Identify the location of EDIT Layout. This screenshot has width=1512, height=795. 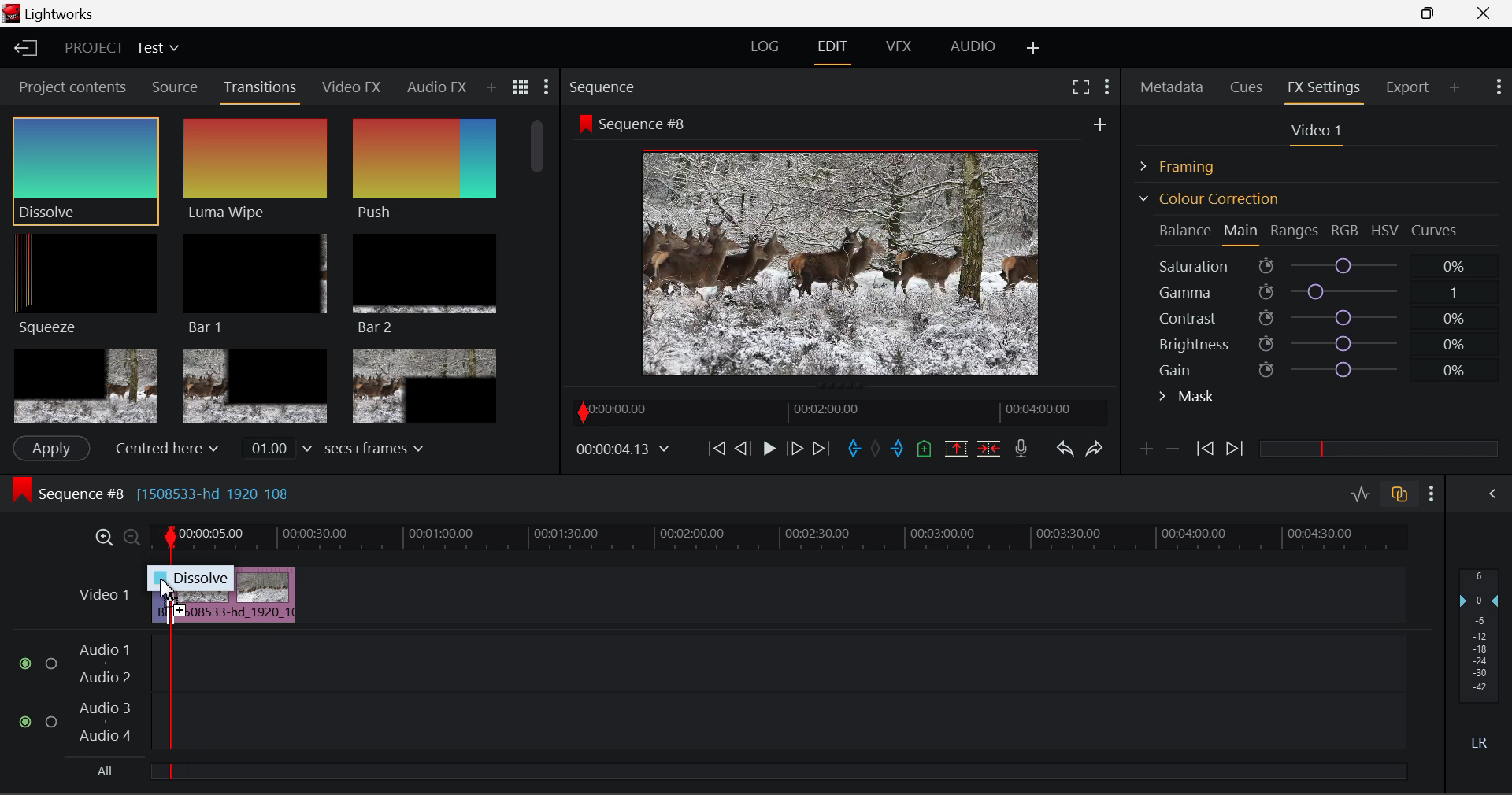
(835, 50).